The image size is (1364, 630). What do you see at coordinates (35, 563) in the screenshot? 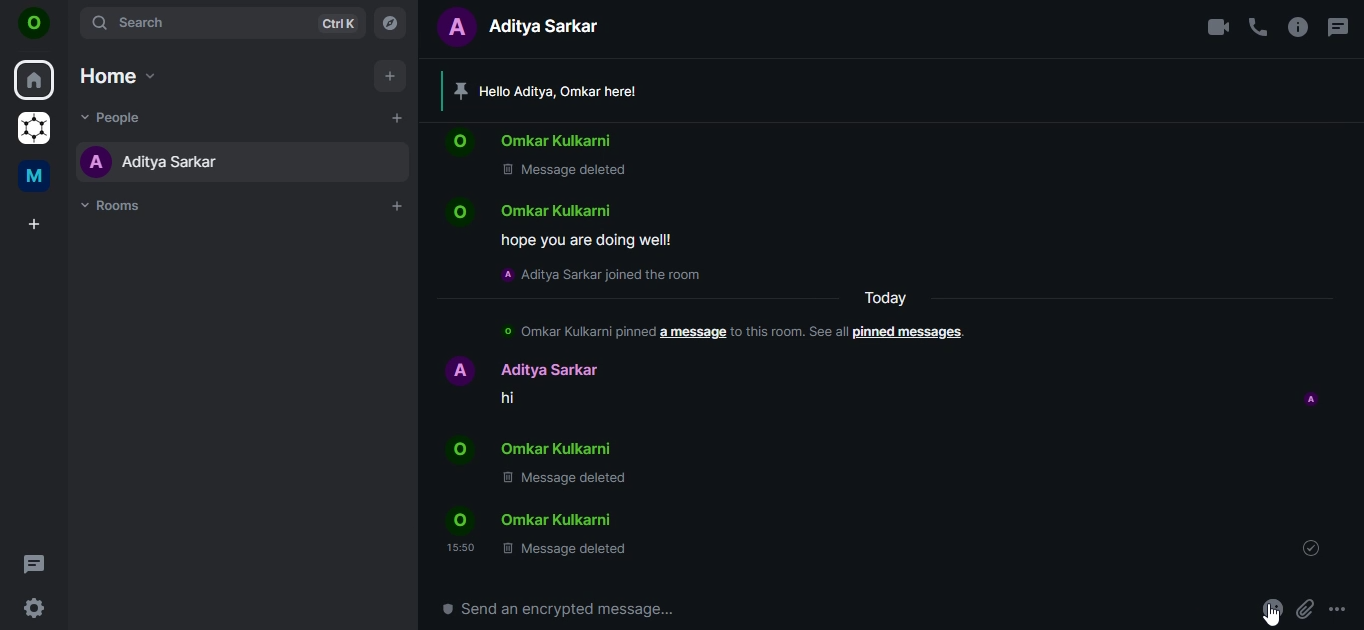
I see `threads` at bounding box center [35, 563].